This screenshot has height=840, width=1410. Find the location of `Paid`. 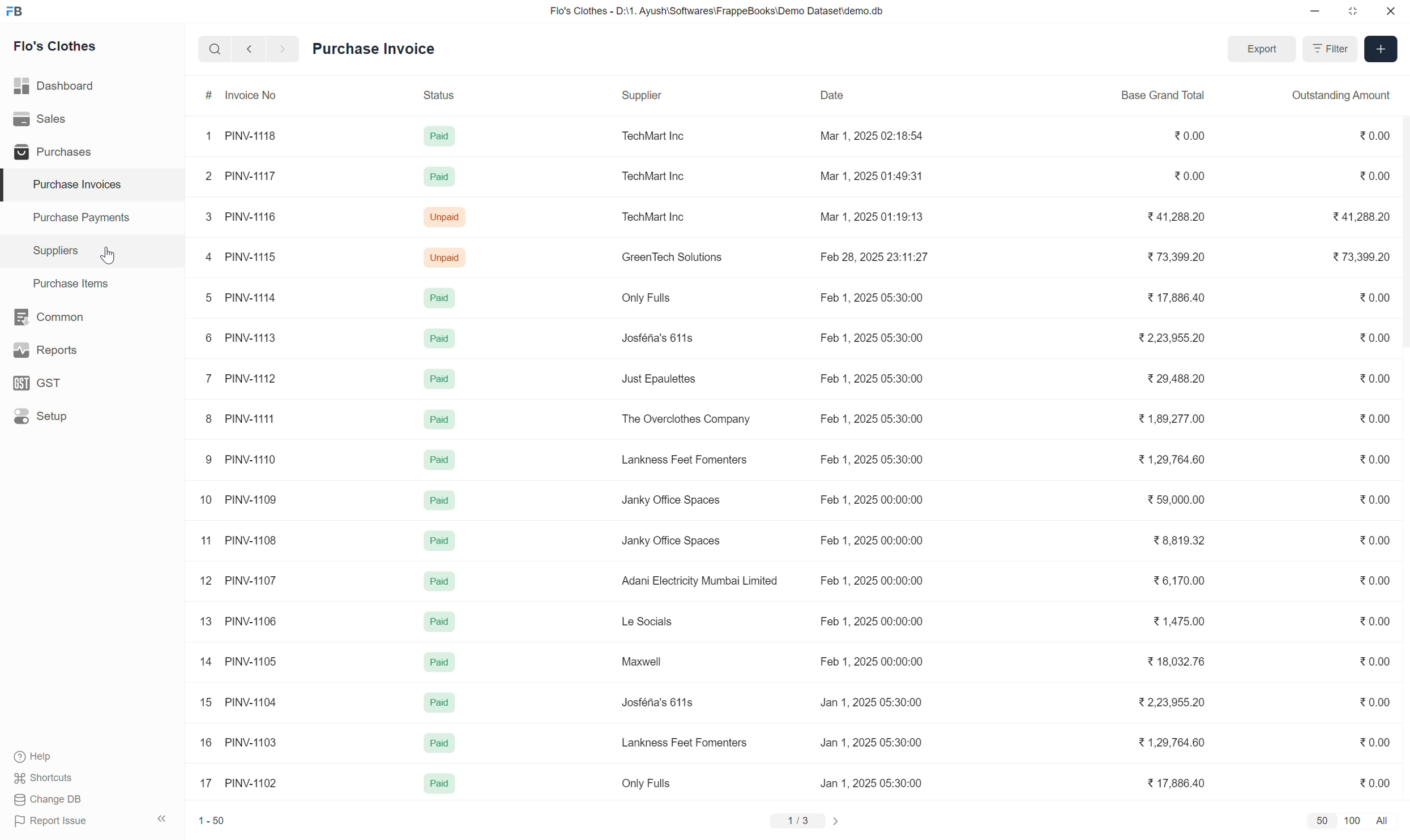

Paid is located at coordinates (438, 173).